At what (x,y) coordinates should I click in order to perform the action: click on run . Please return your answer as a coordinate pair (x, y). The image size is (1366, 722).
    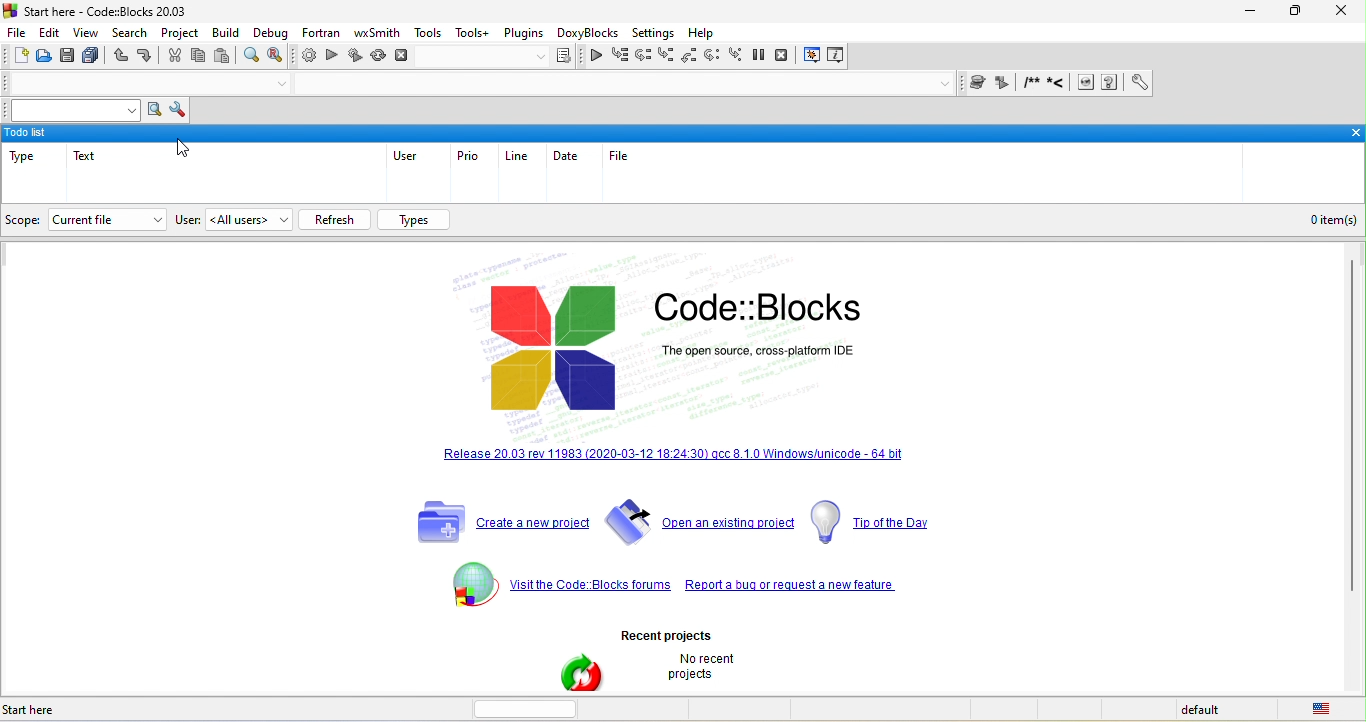
    Looking at the image, I should click on (332, 57).